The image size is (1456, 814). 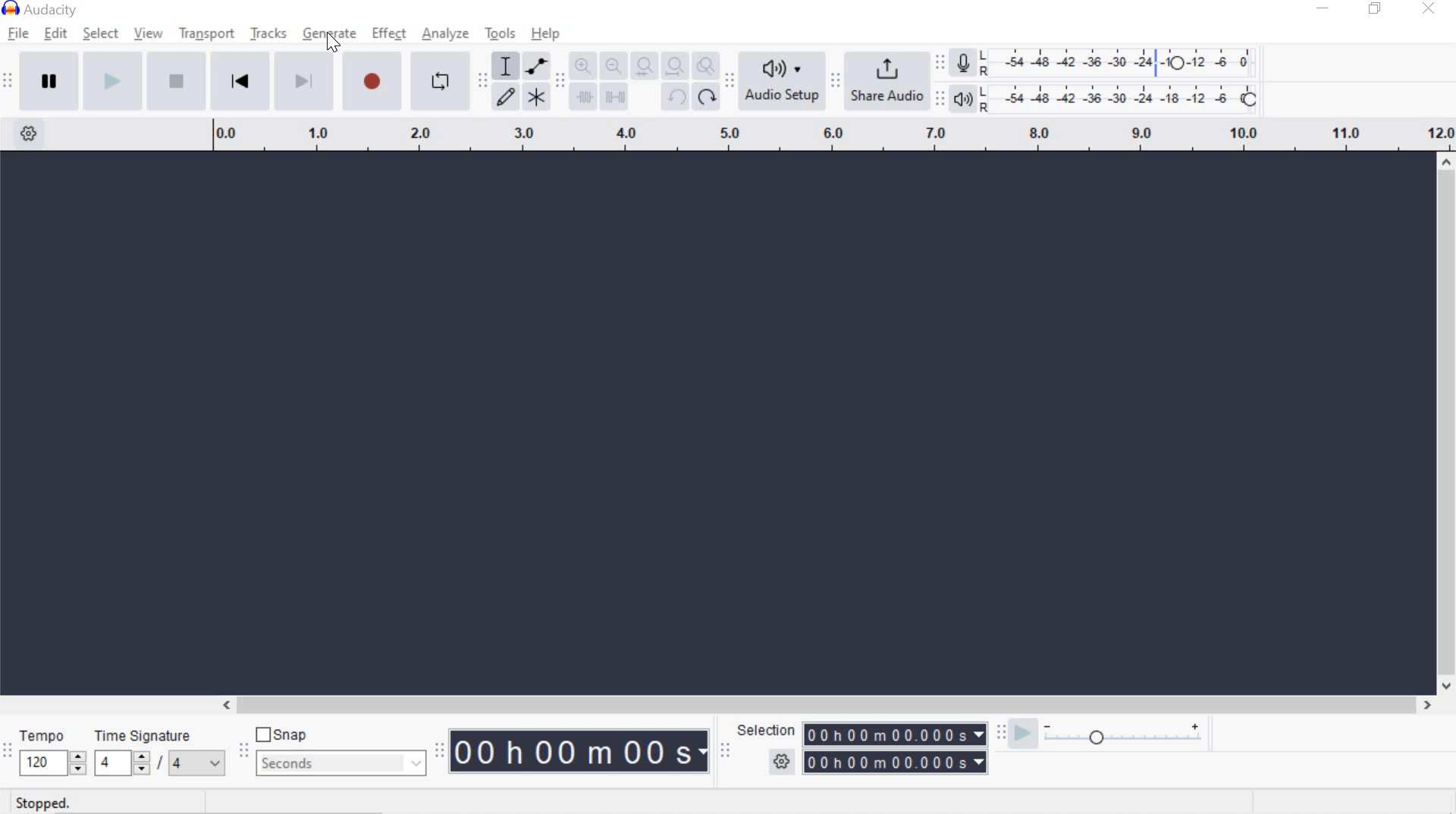 I want to click on undo, so click(x=673, y=96).